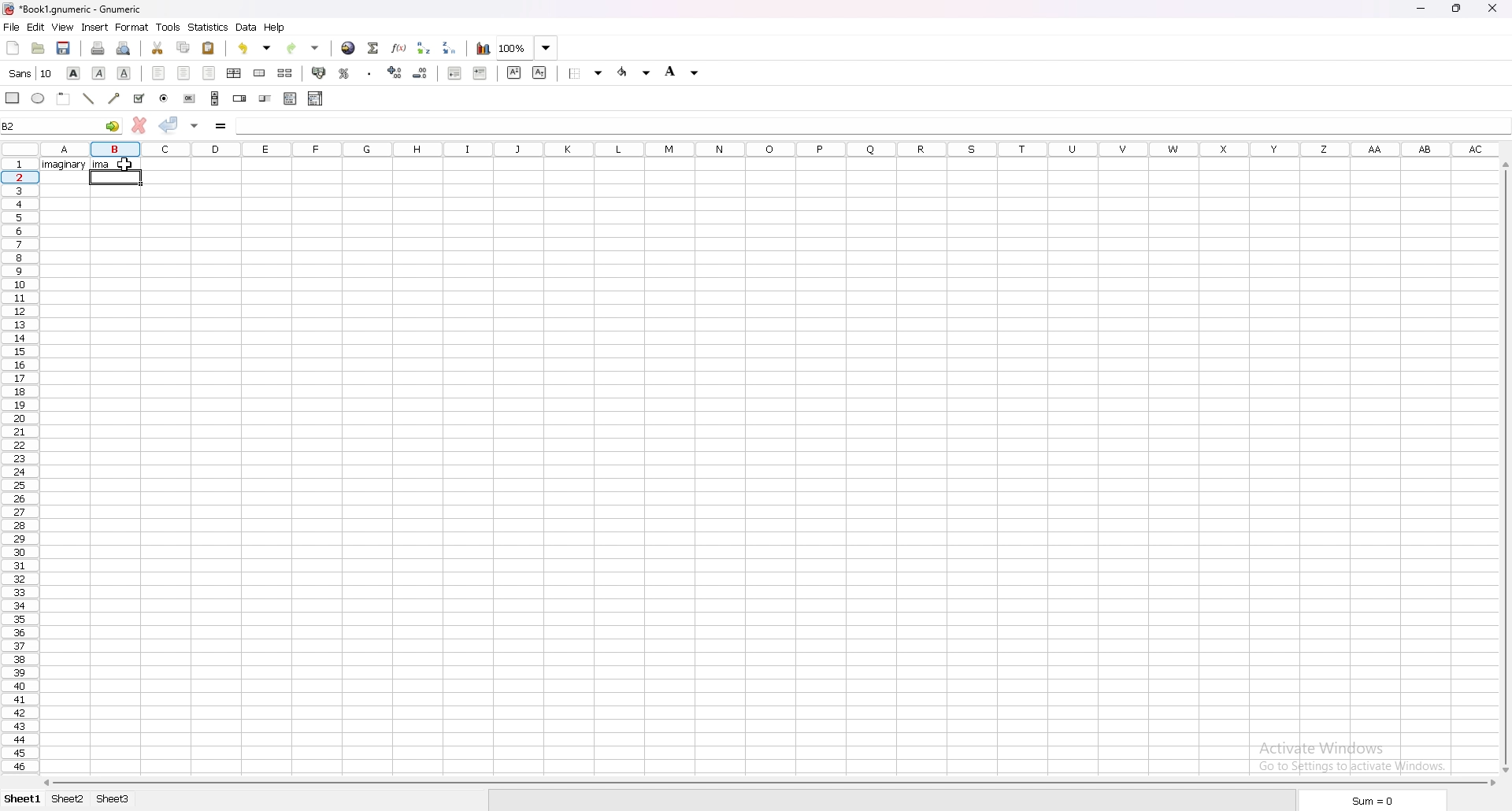 Image resolution: width=1512 pixels, height=811 pixels. I want to click on bold, so click(75, 72).